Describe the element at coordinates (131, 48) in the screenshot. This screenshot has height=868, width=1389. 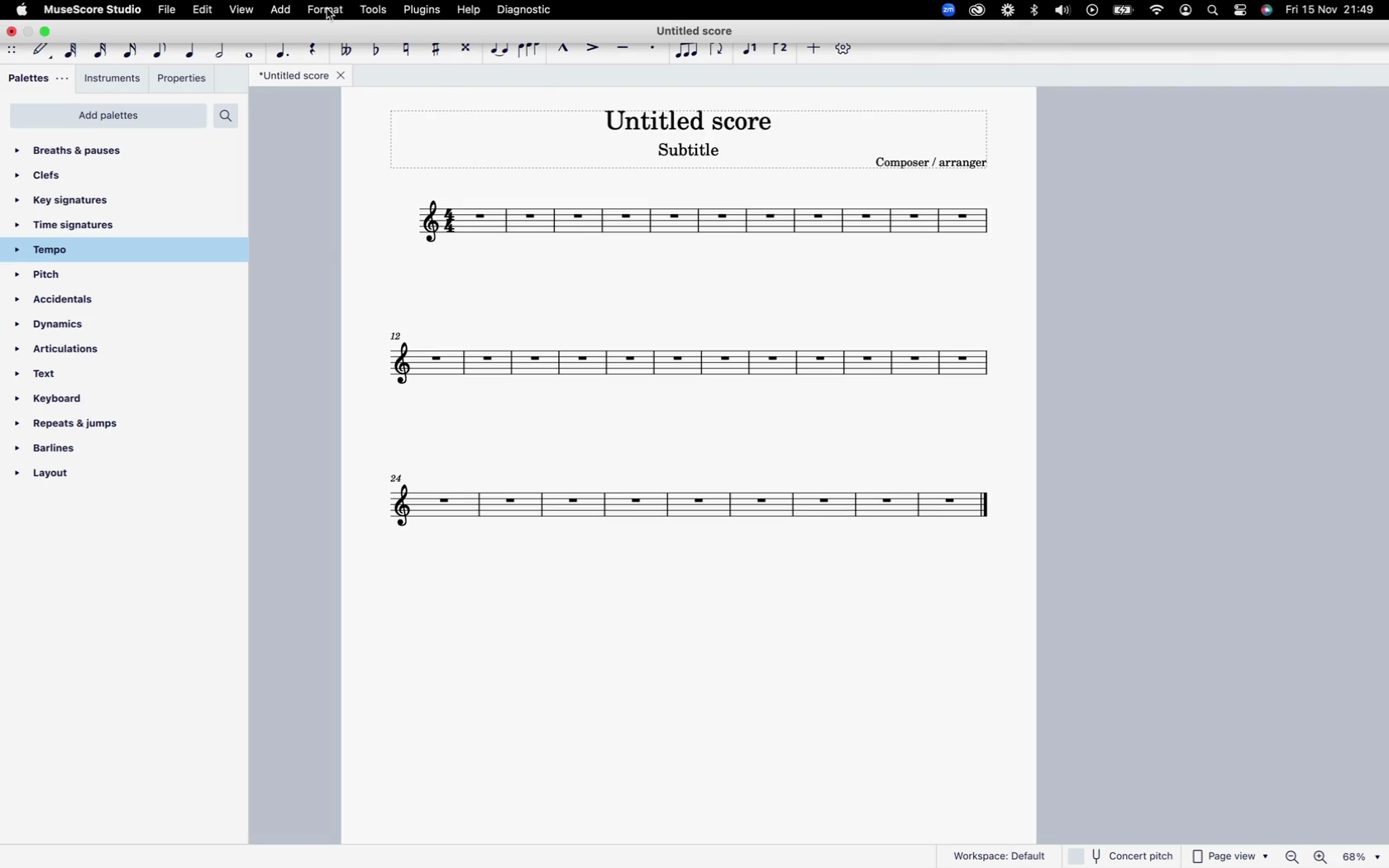
I see `16th note` at that location.